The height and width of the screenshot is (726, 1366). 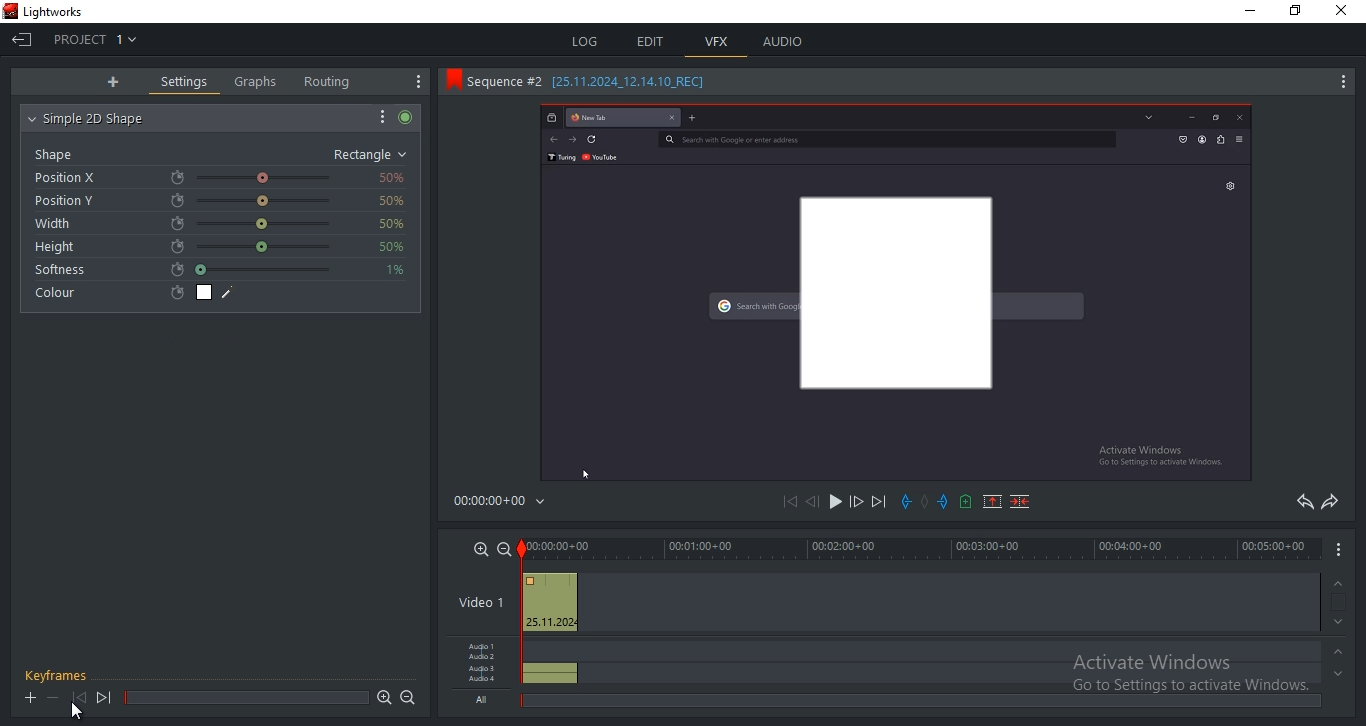 What do you see at coordinates (79, 709) in the screenshot?
I see `cursor` at bounding box center [79, 709].